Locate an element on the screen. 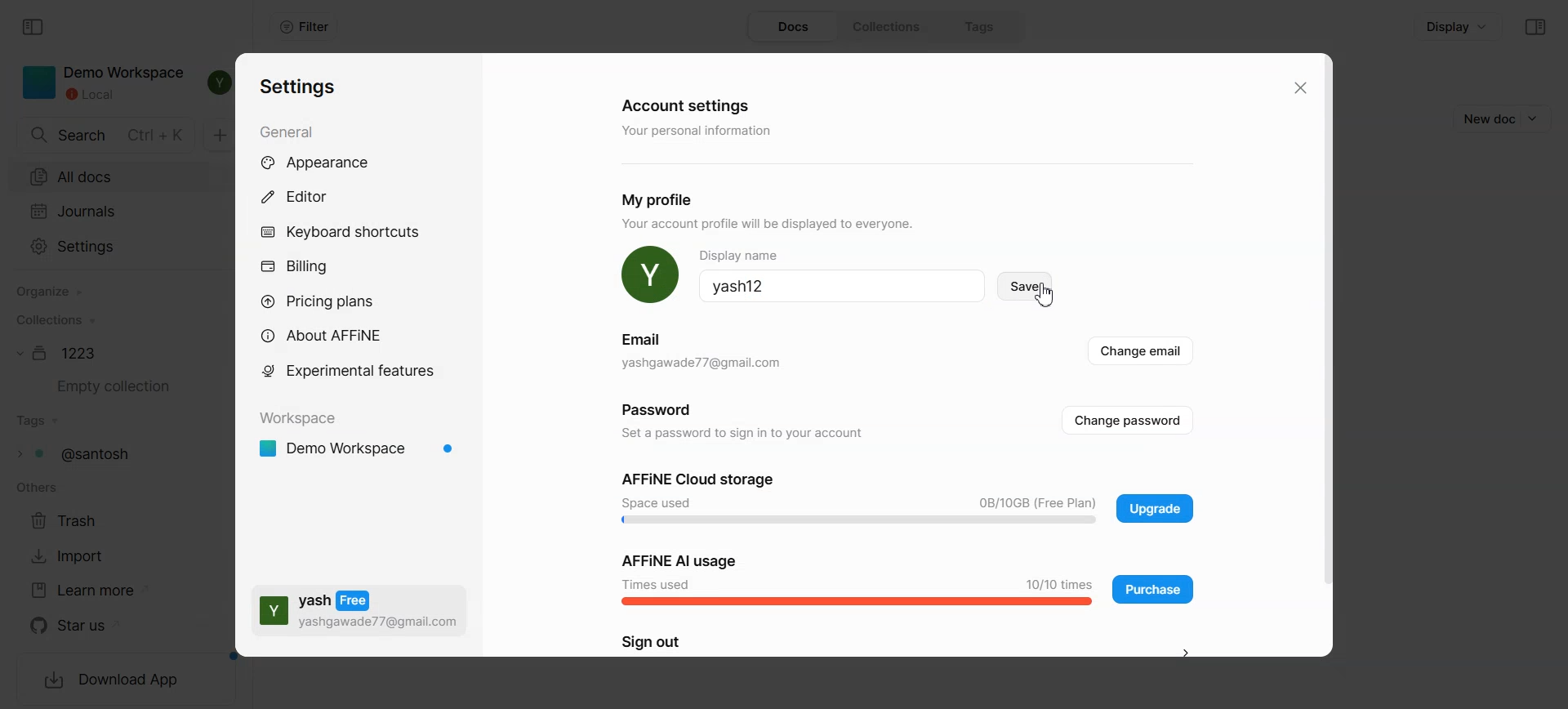  Keyboard shortcuts is located at coordinates (341, 231).